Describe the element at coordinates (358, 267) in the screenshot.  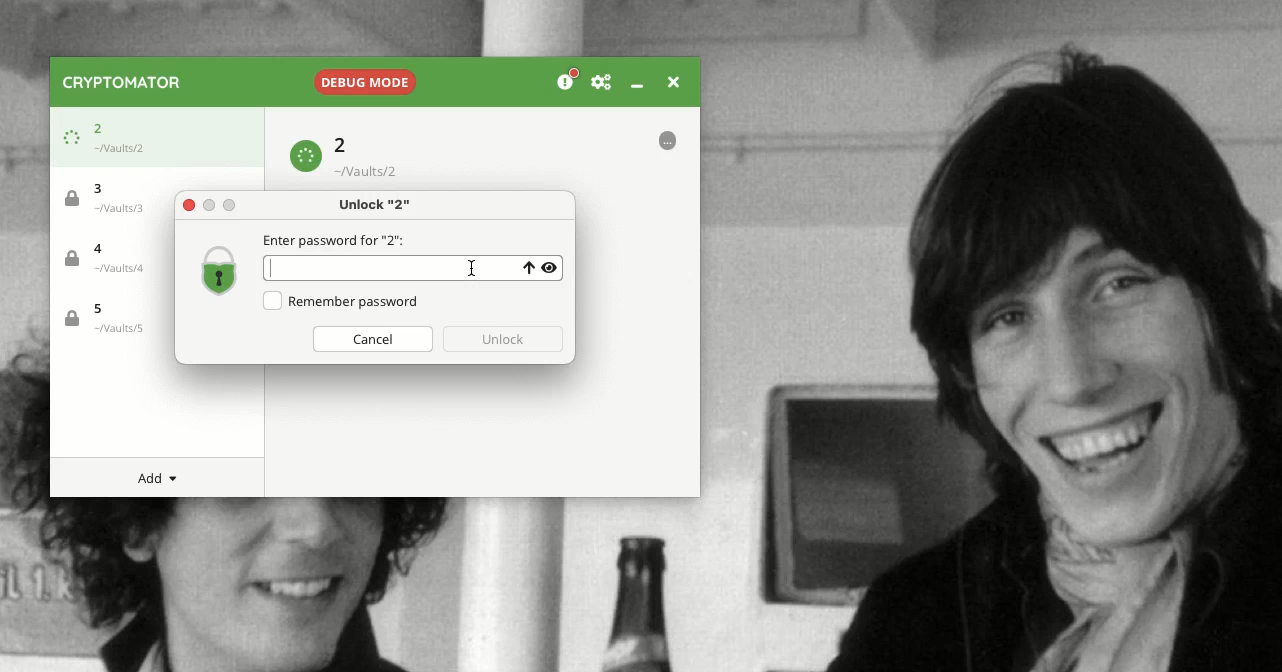
I see `Text box` at that location.